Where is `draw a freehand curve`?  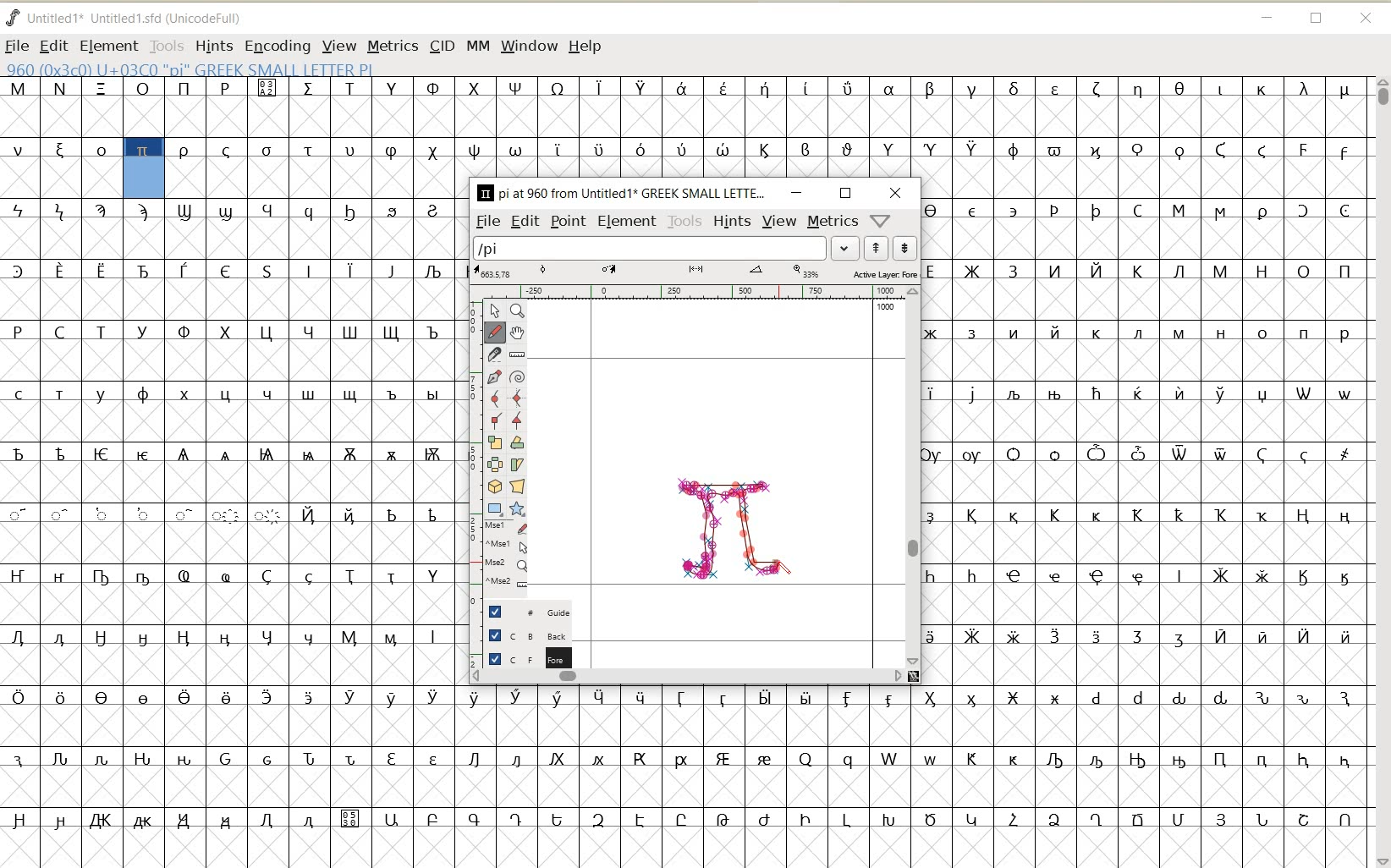 draw a freehand curve is located at coordinates (492, 331).